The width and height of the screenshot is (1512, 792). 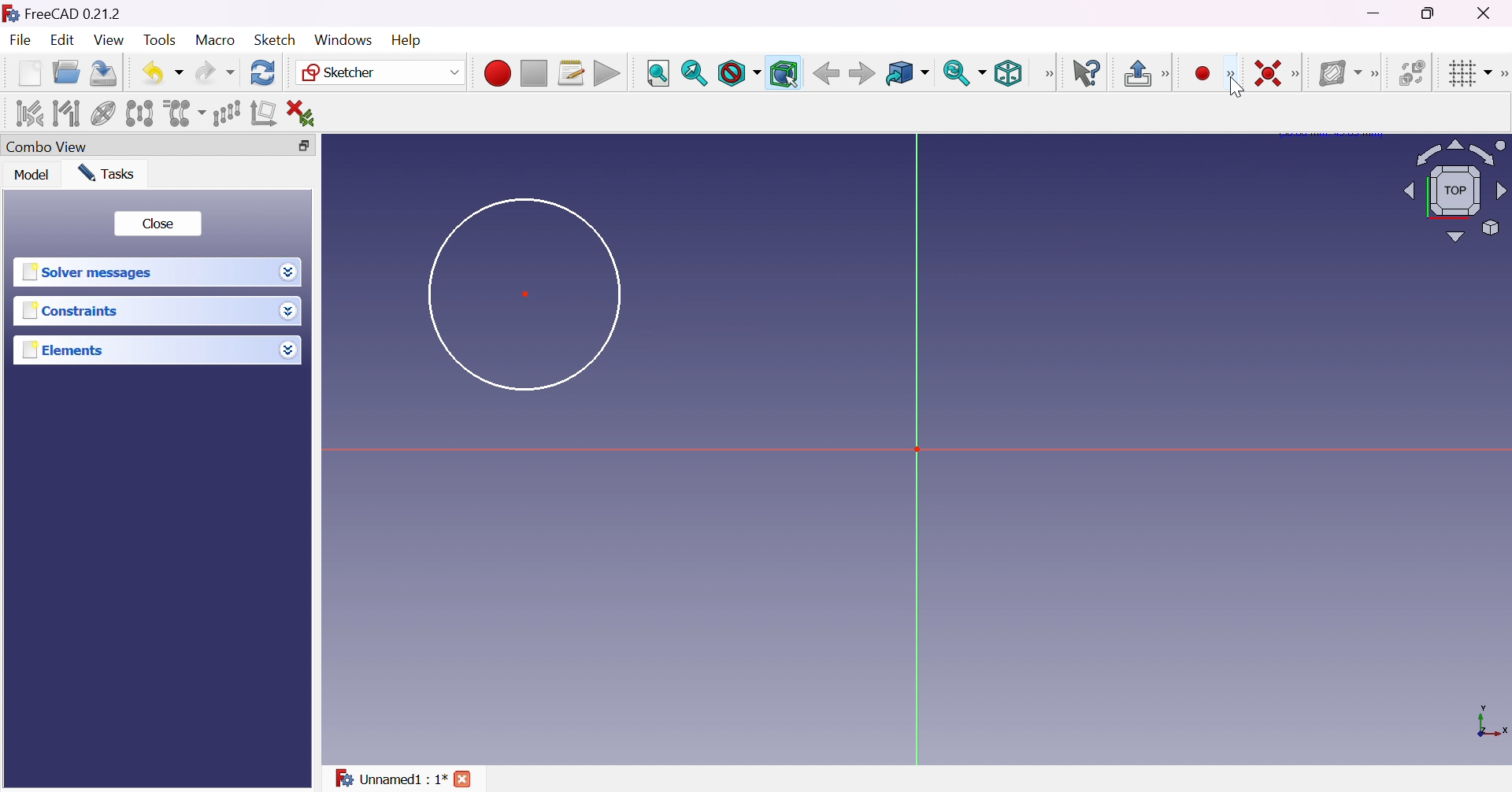 I want to click on Redo, so click(x=215, y=72).